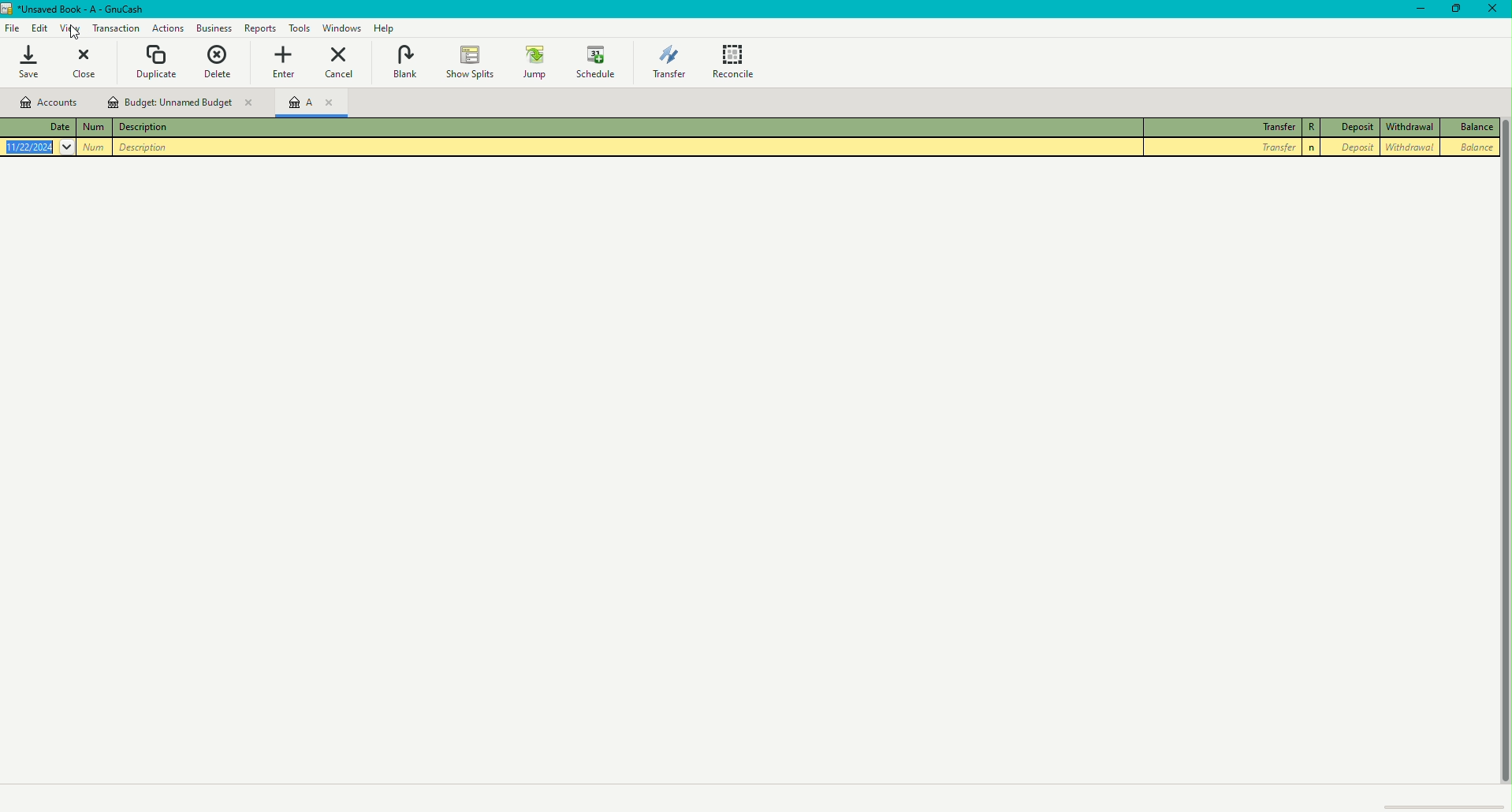 The width and height of the screenshot is (1512, 812). Describe the element at coordinates (213, 29) in the screenshot. I see `Business` at that location.